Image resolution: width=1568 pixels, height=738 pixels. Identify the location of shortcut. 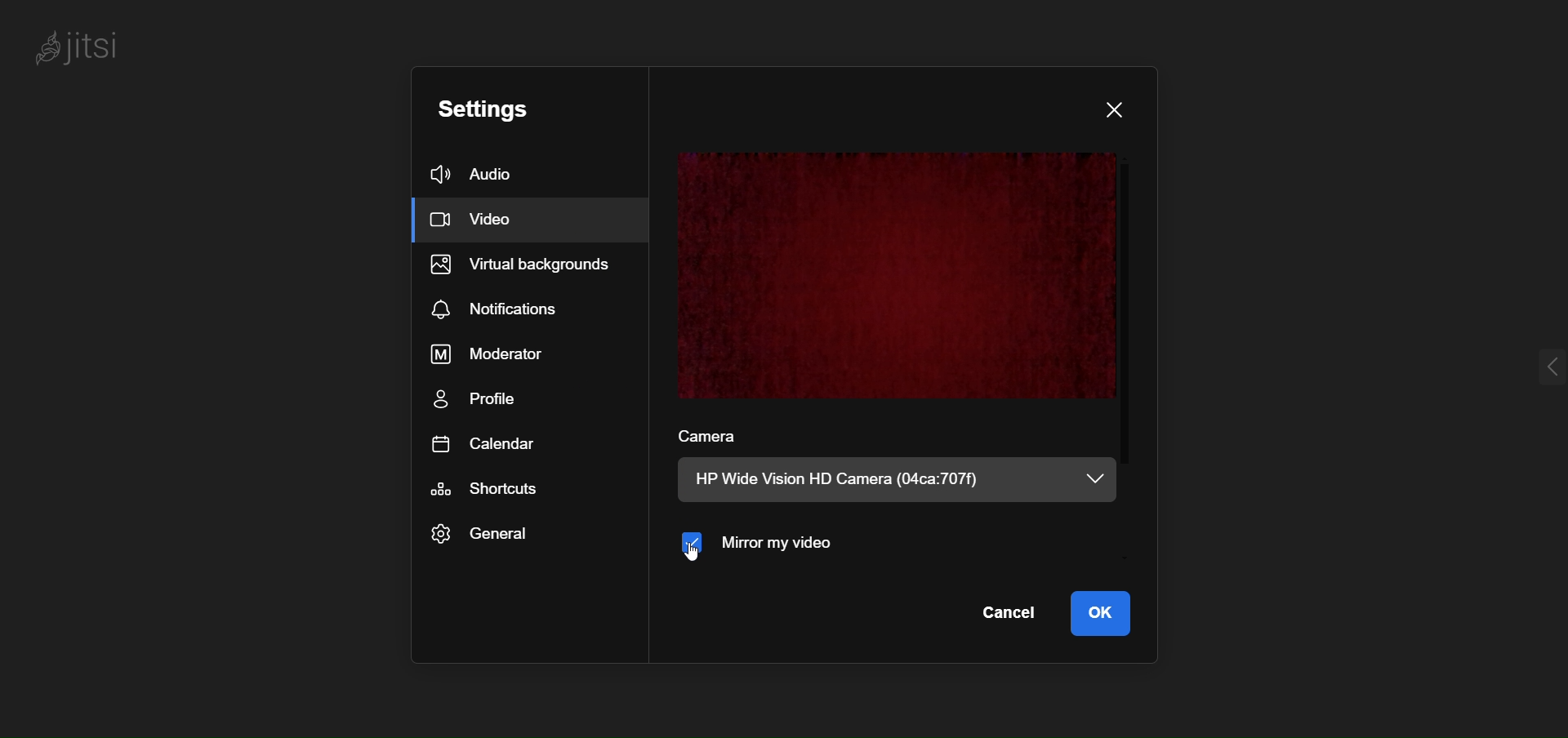
(494, 489).